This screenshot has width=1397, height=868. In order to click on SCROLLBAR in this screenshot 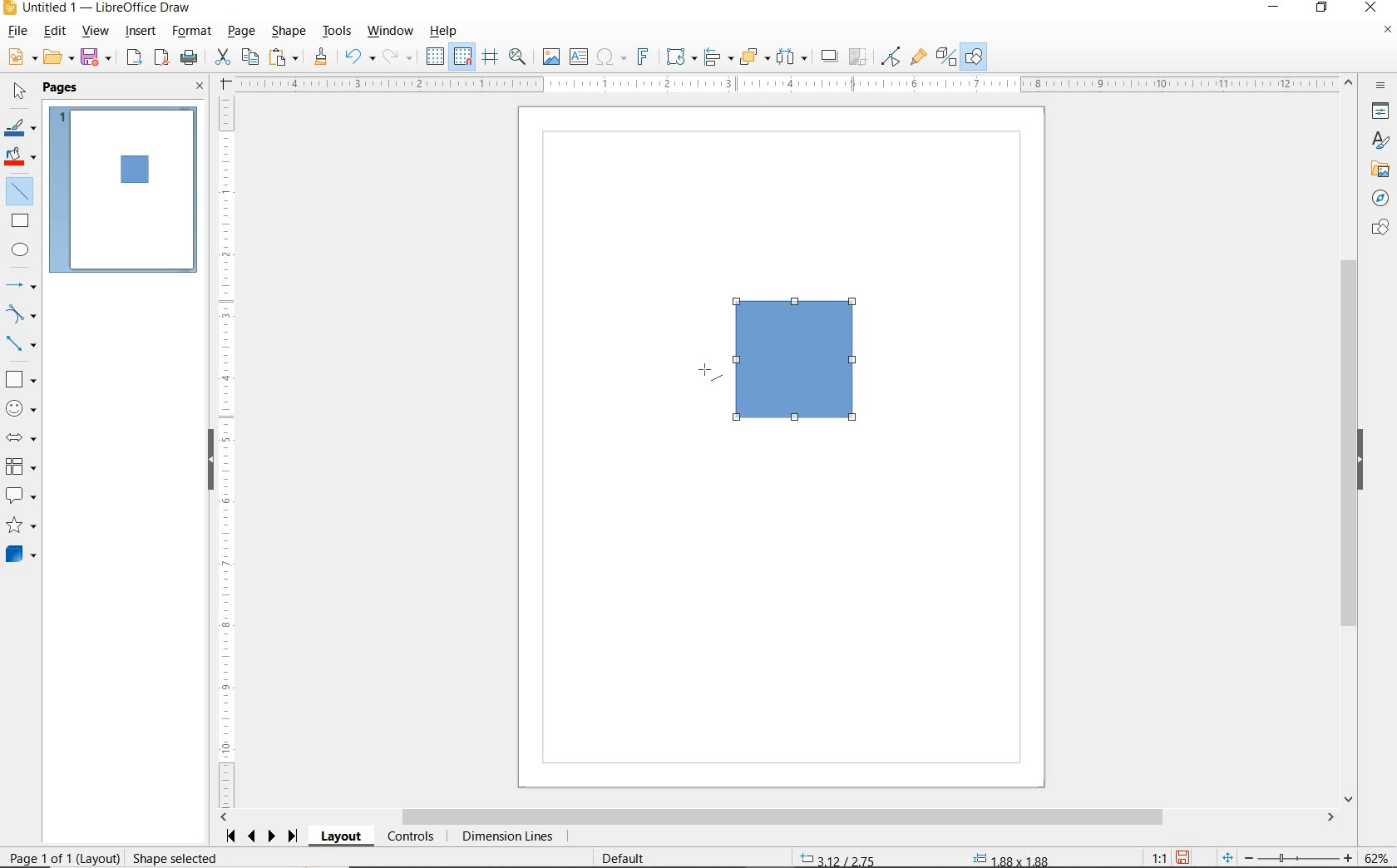, I will do `click(1351, 440)`.